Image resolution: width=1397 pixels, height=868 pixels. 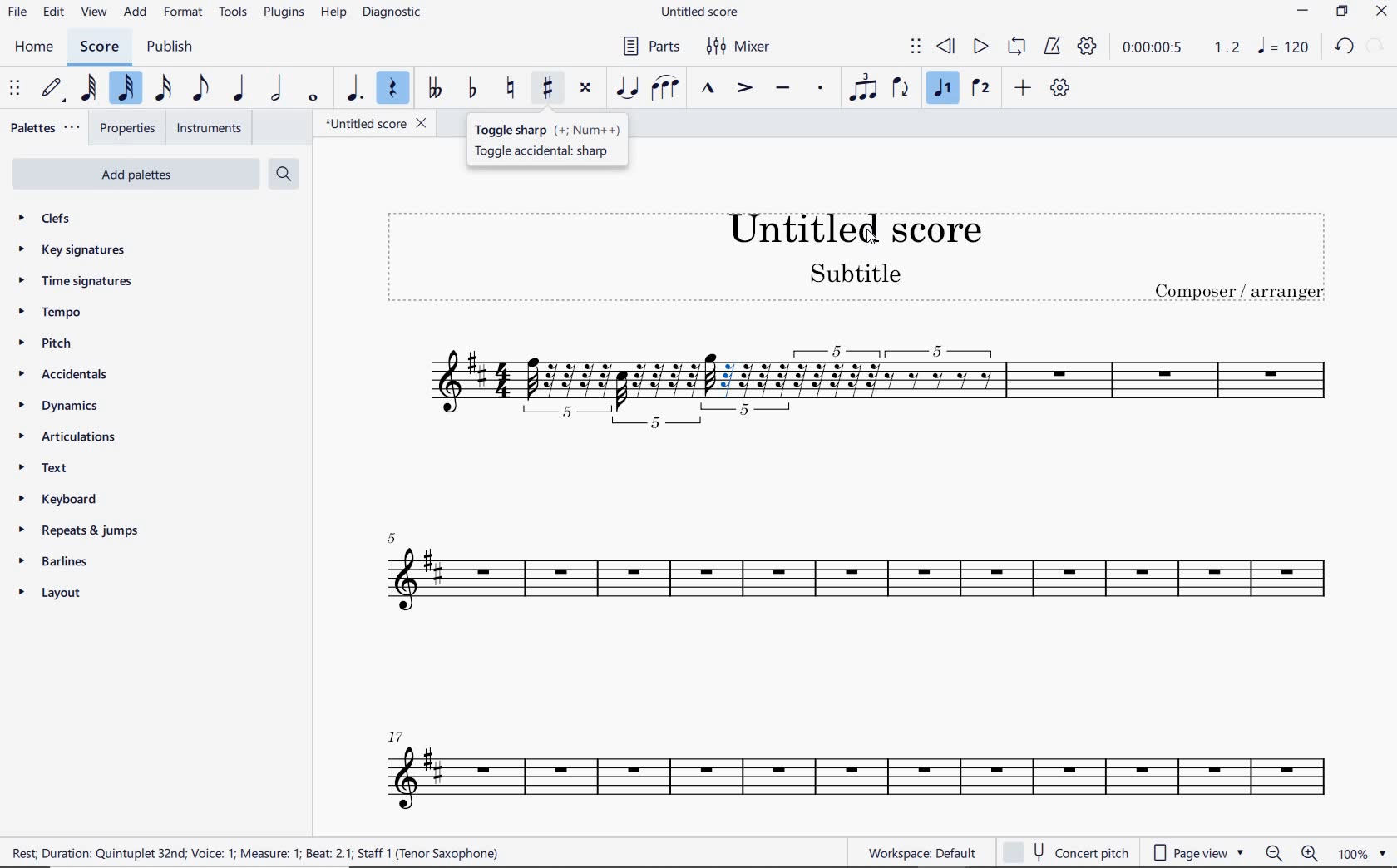 What do you see at coordinates (549, 141) in the screenshot?
I see `toggle sharp` at bounding box center [549, 141].